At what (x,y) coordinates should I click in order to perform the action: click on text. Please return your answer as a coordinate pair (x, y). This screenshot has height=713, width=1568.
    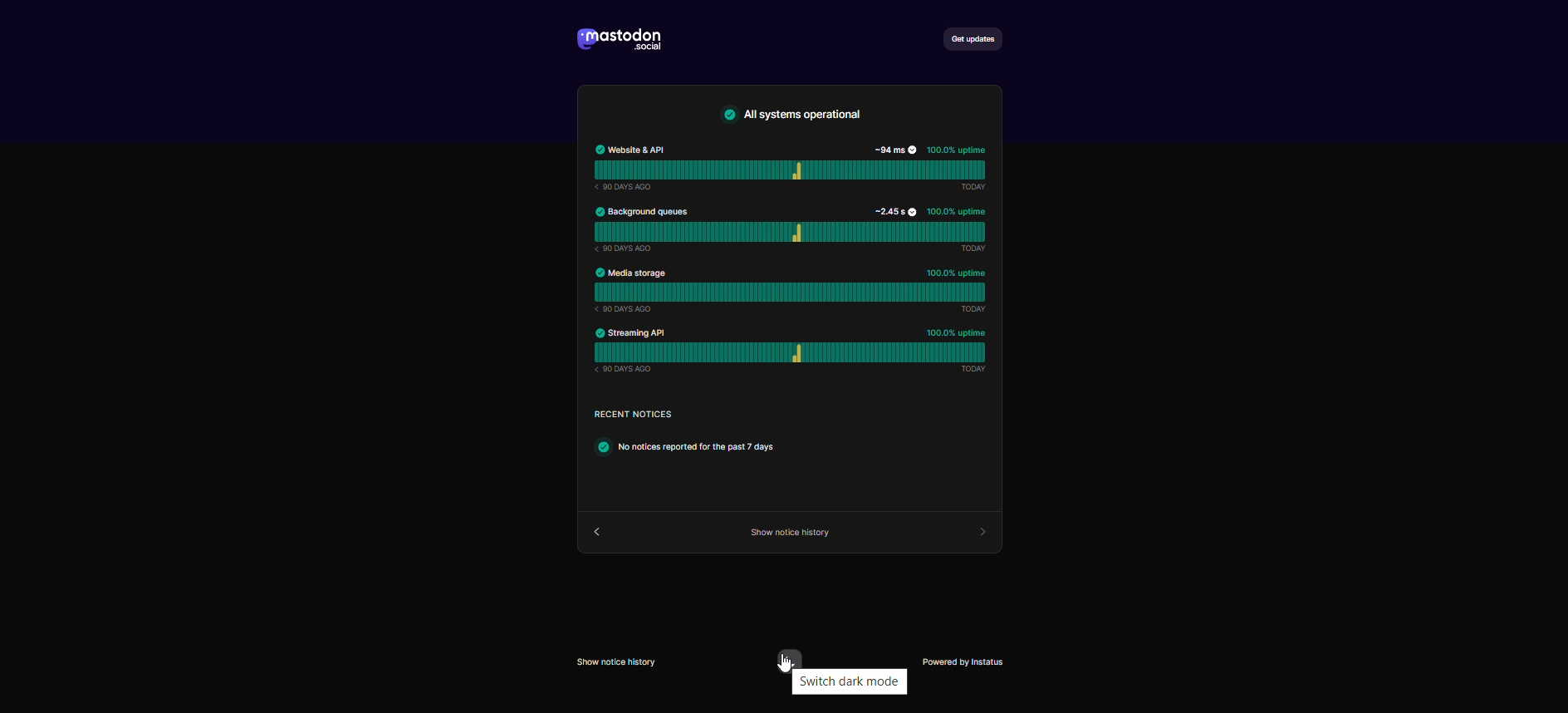
    Looking at the image, I should click on (693, 435).